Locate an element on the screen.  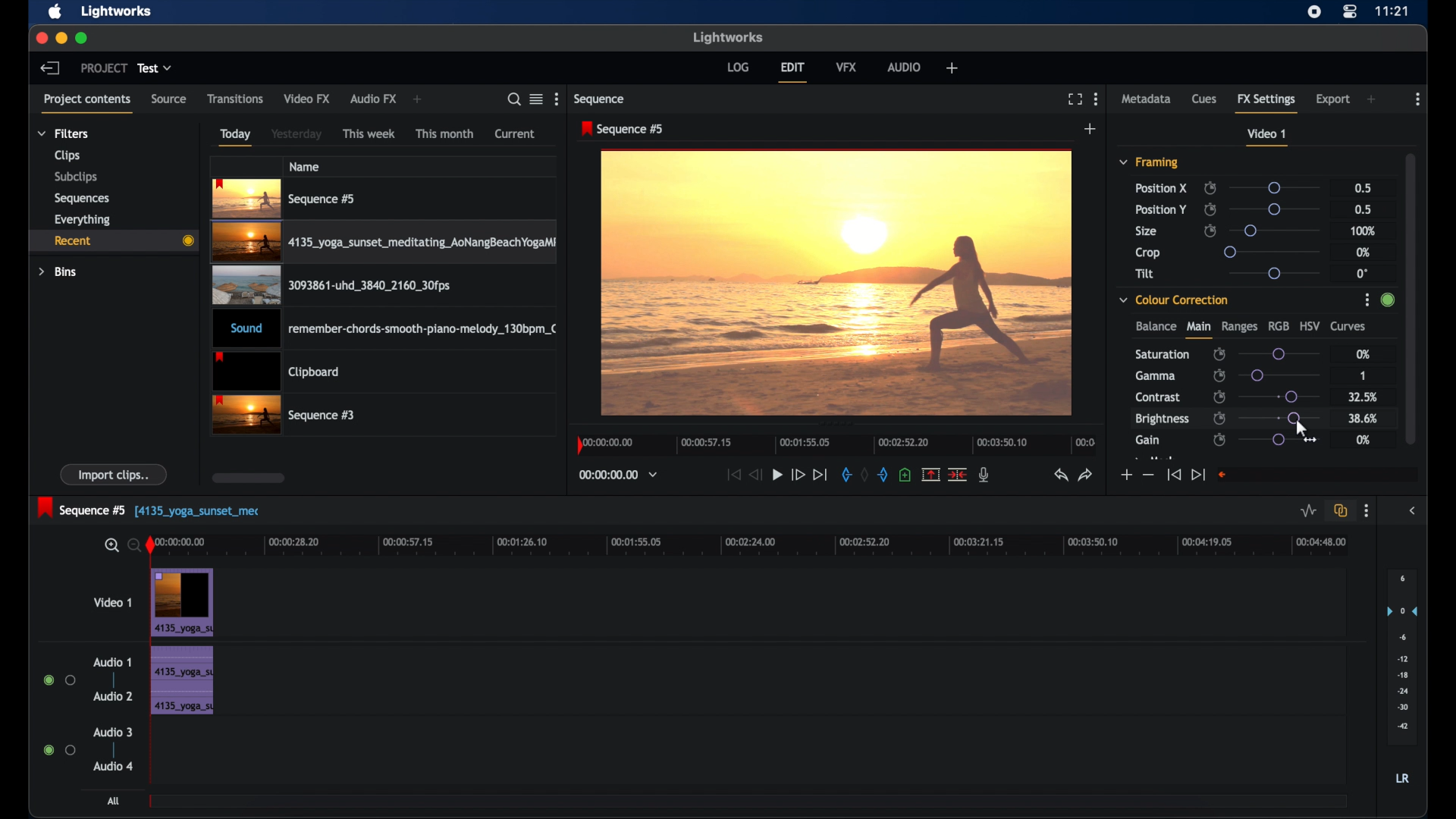
bins is located at coordinates (58, 272).